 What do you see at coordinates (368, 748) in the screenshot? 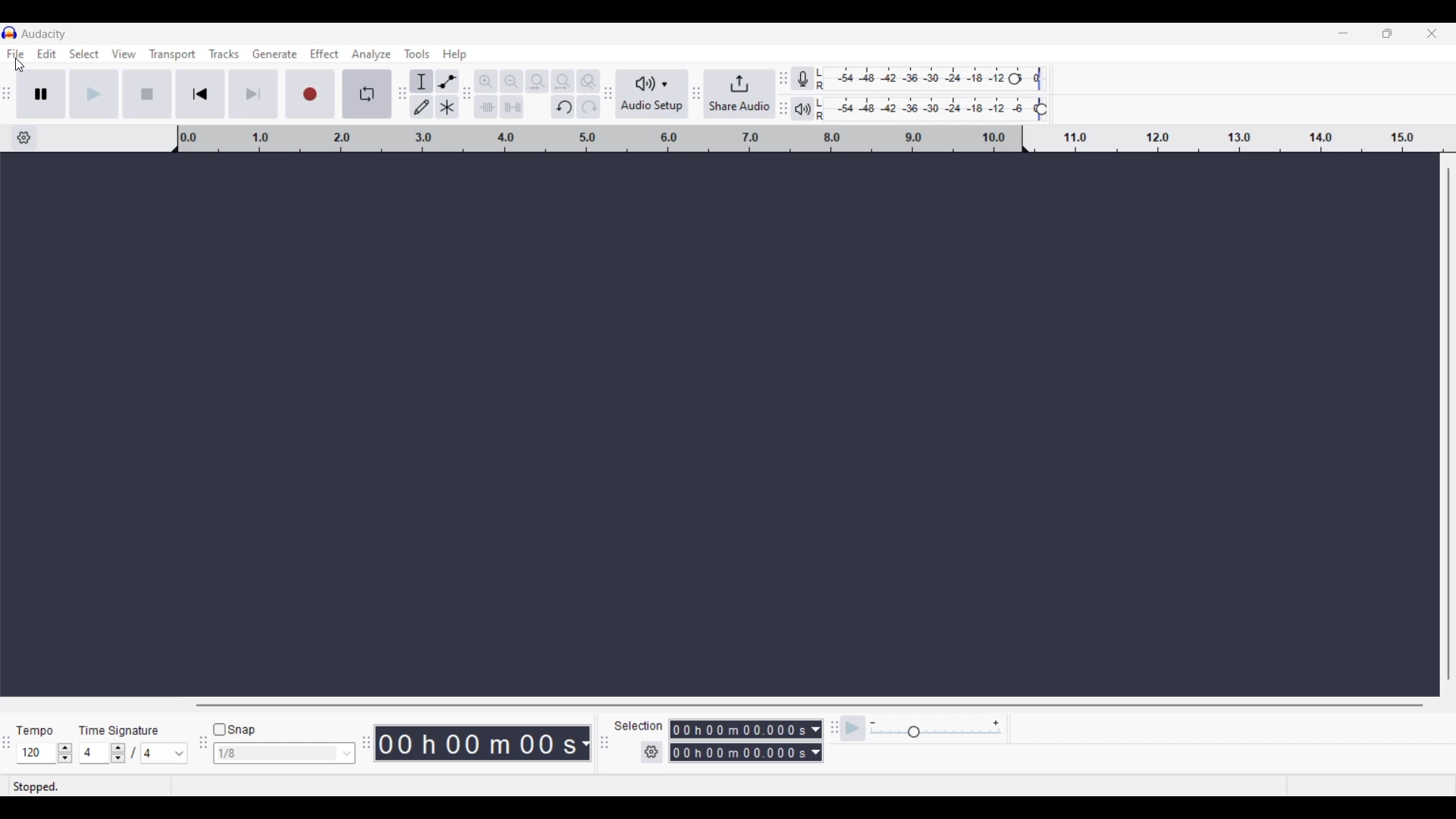
I see `time toolbar` at bounding box center [368, 748].